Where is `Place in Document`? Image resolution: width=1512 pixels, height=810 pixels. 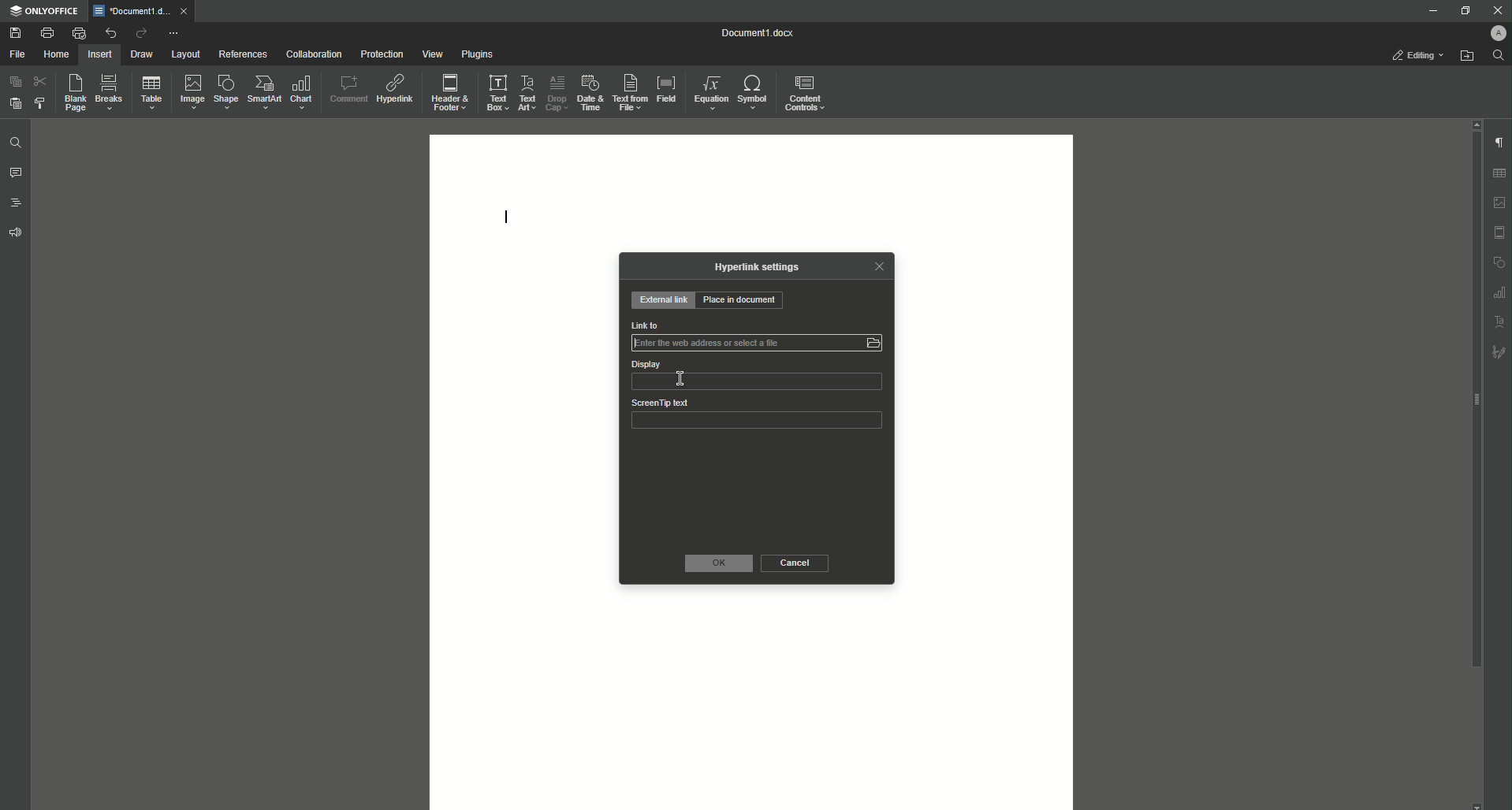
Place in Document is located at coordinates (746, 301).